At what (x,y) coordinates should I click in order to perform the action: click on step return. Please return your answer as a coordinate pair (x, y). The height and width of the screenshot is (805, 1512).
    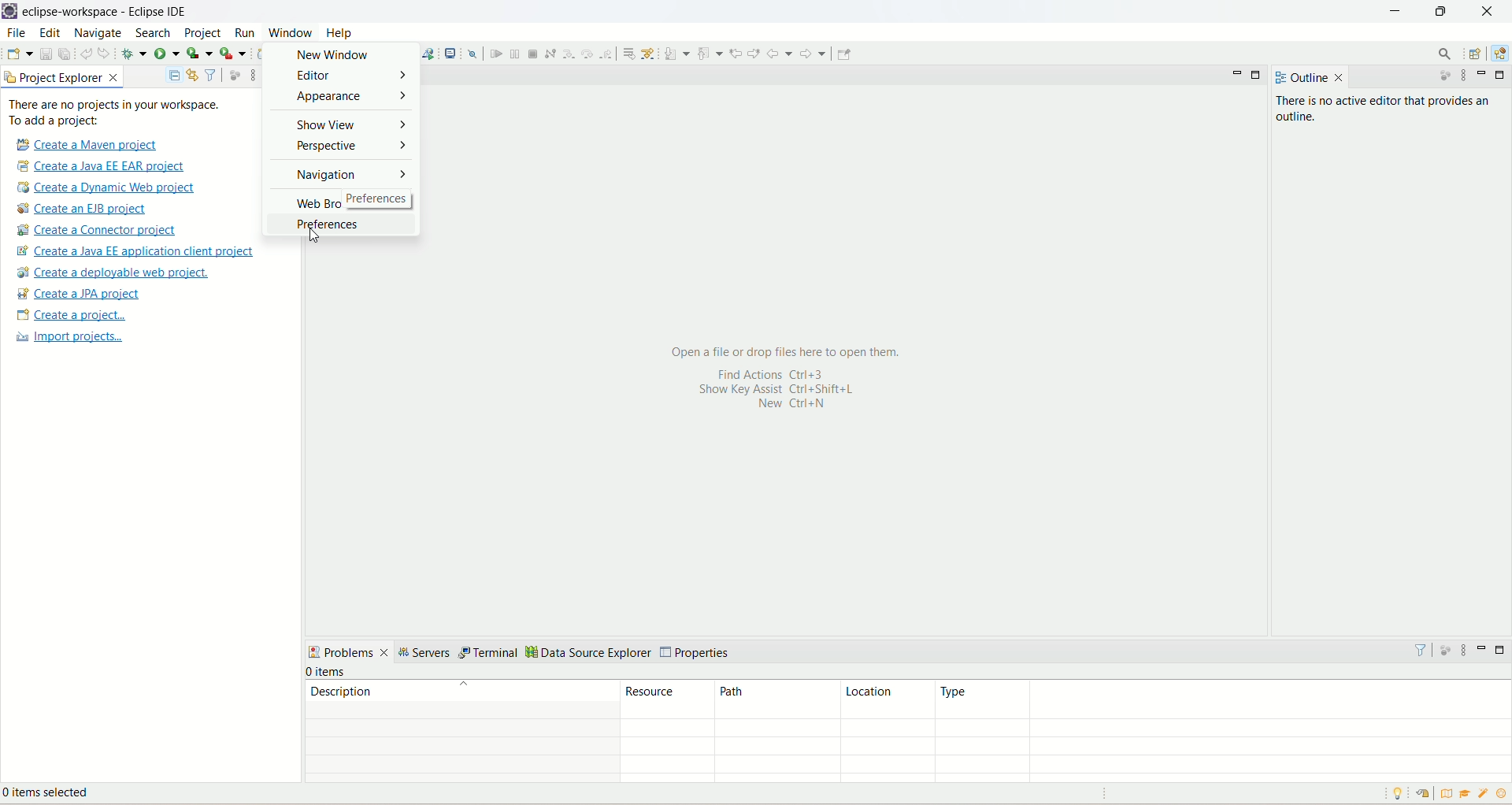
    Looking at the image, I should click on (607, 54).